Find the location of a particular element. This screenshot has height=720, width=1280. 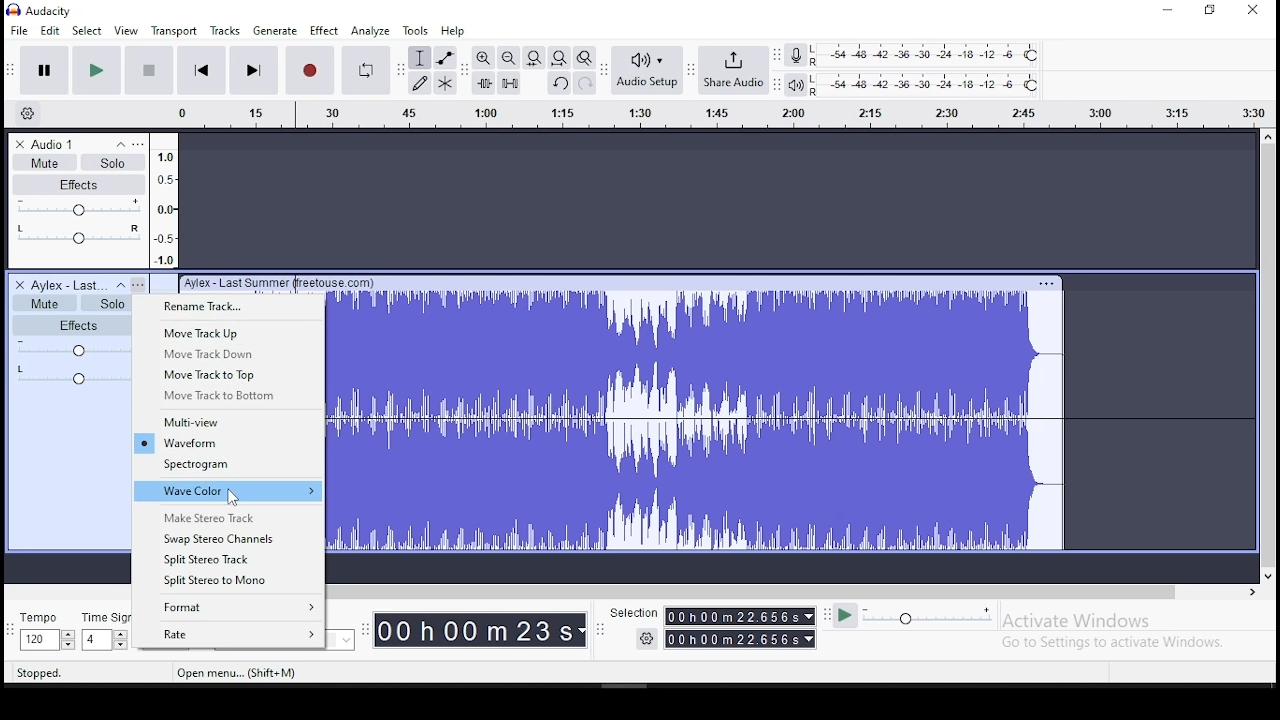

move to bottom is located at coordinates (229, 397).